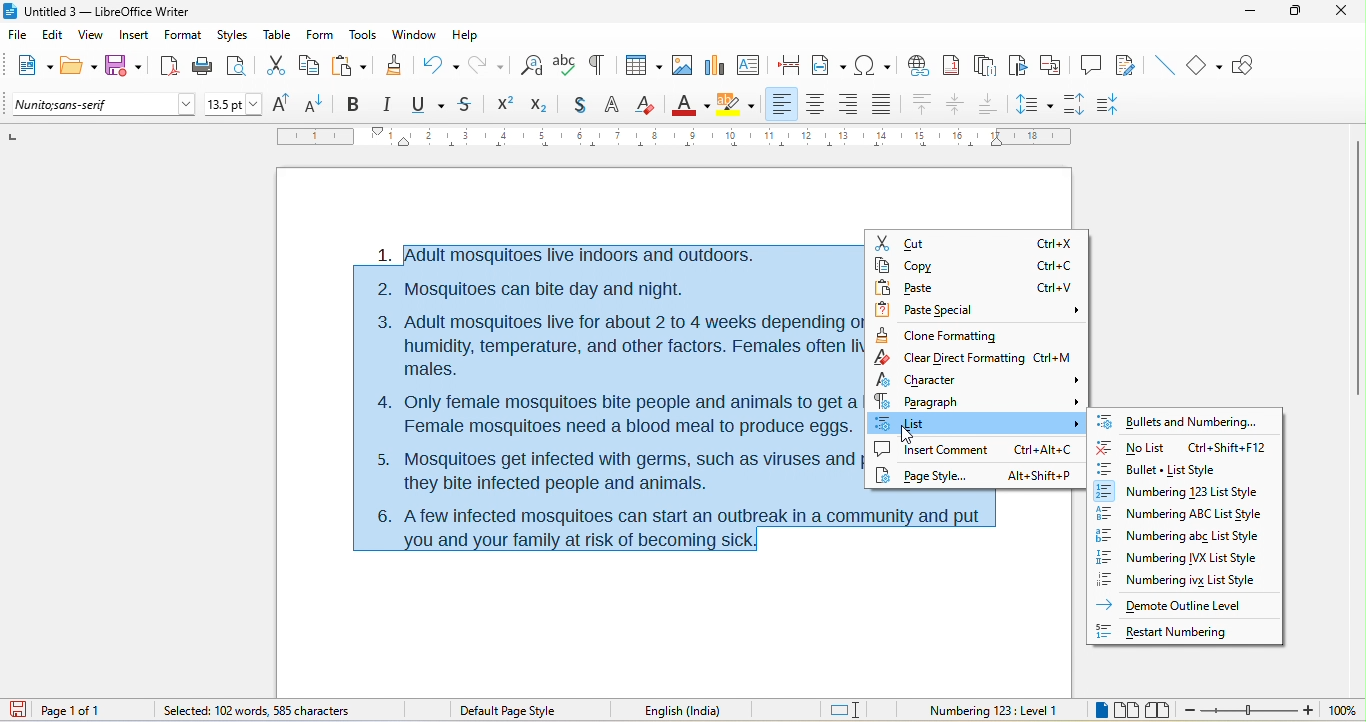 The width and height of the screenshot is (1366, 722). I want to click on align bottom, so click(988, 104).